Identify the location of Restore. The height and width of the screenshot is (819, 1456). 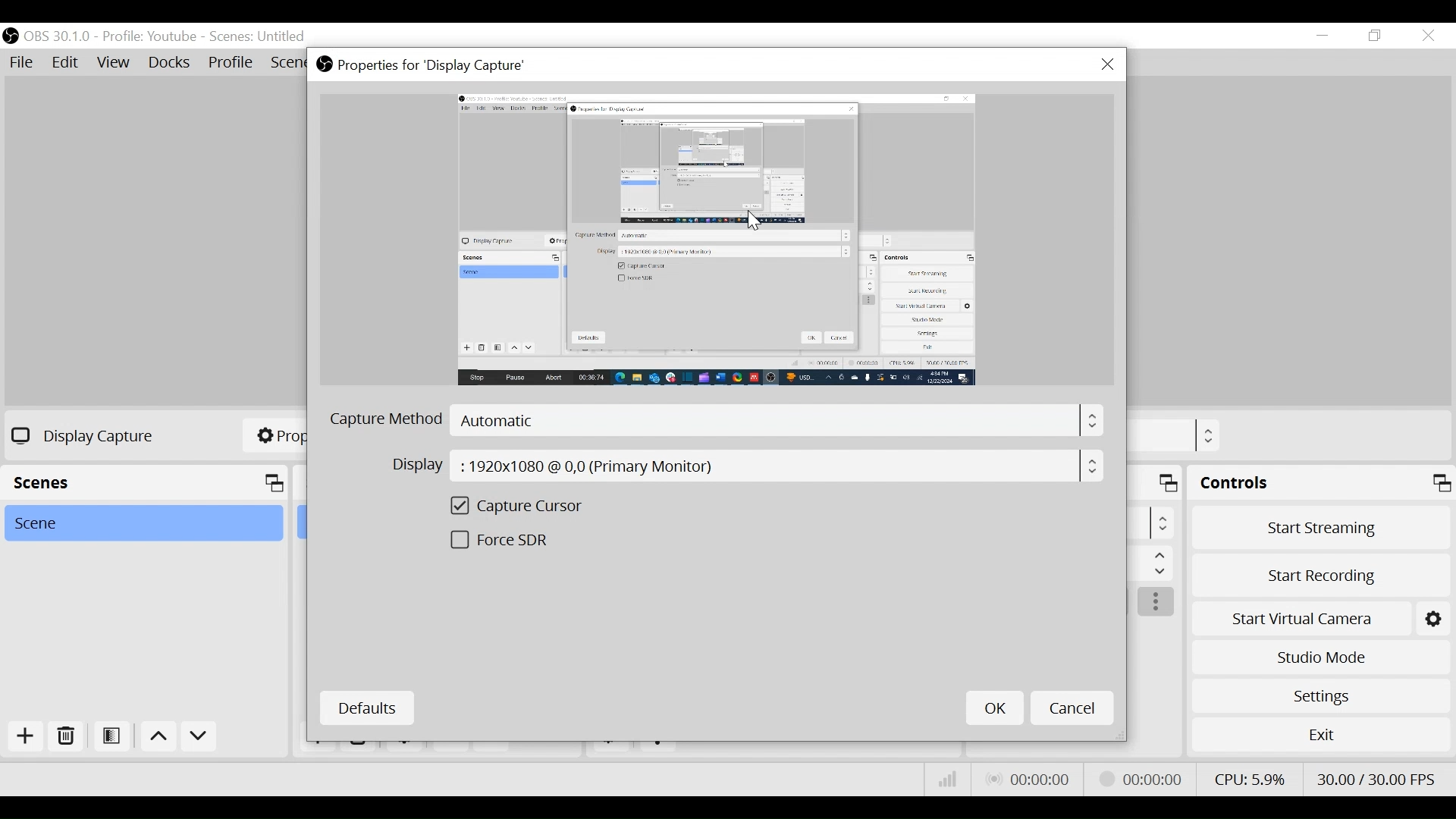
(1375, 36).